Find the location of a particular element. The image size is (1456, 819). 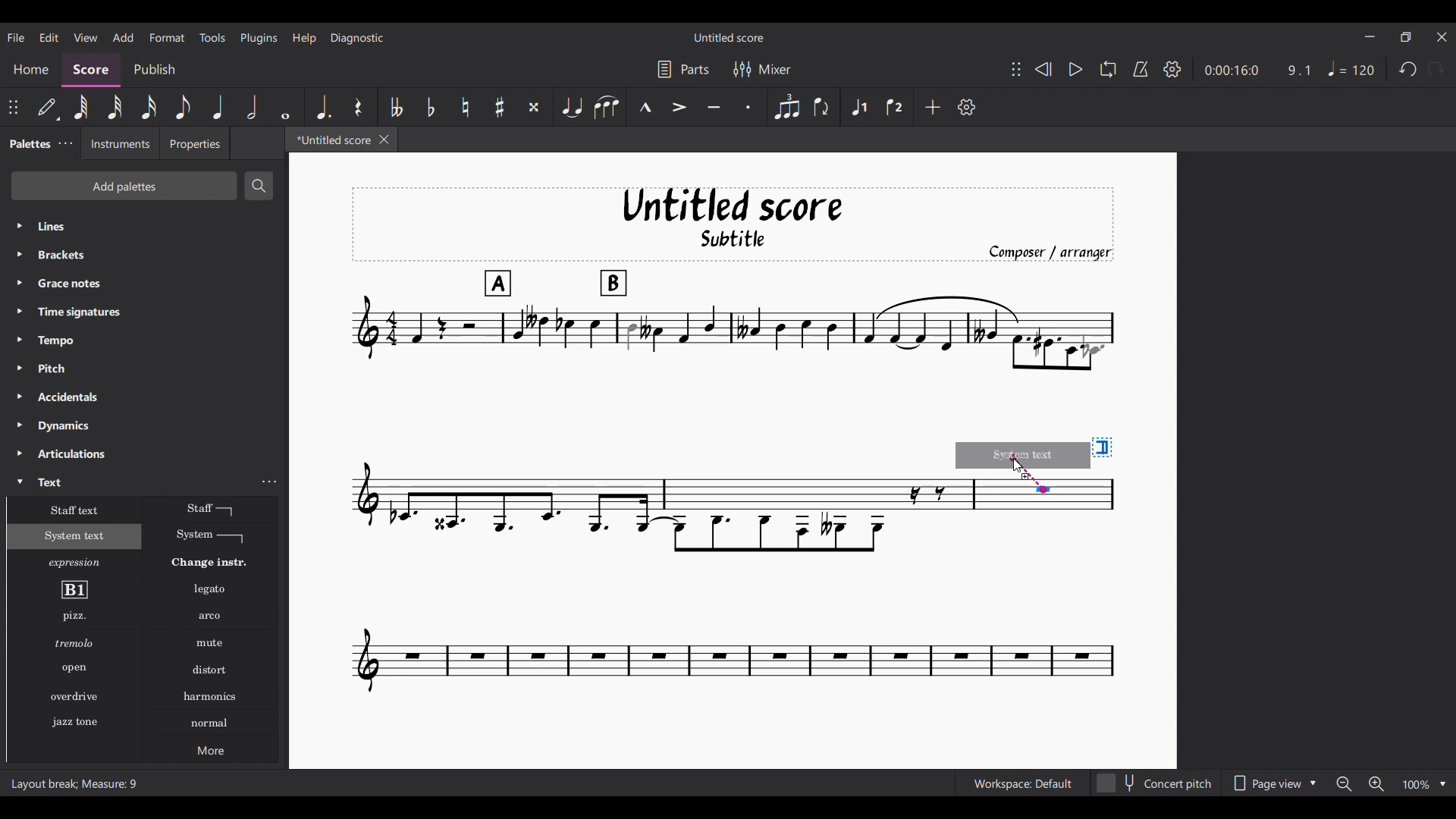

Toggle flat is located at coordinates (431, 107).